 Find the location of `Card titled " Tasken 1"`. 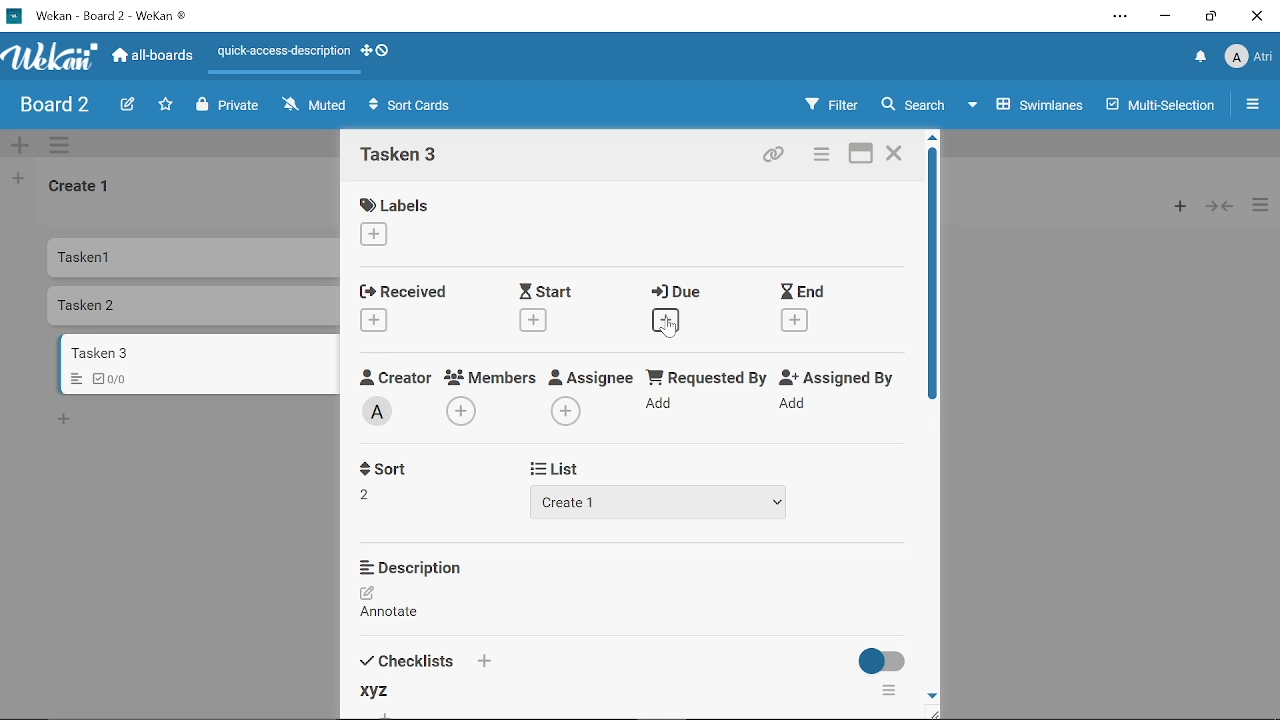

Card titled " Tasken 1" is located at coordinates (192, 257).